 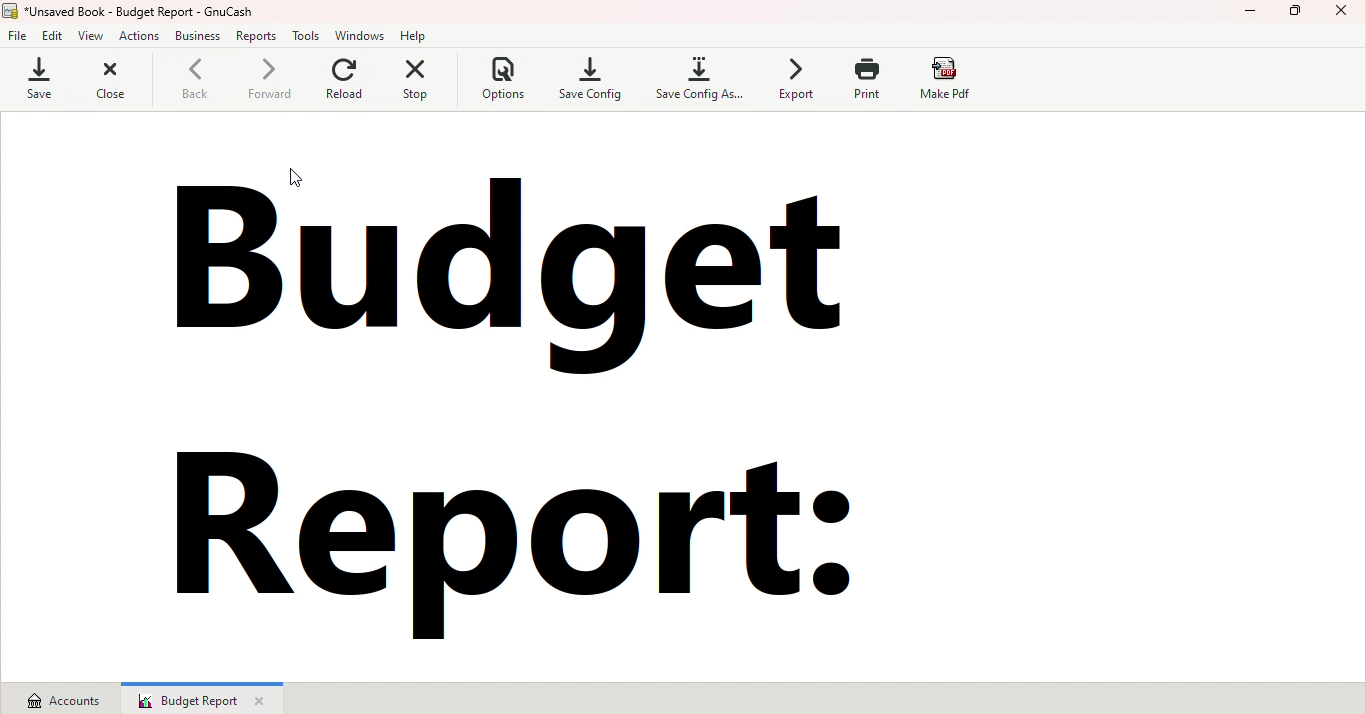 What do you see at coordinates (265, 84) in the screenshot?
I see `Forward` at bounding box center [265, 84].